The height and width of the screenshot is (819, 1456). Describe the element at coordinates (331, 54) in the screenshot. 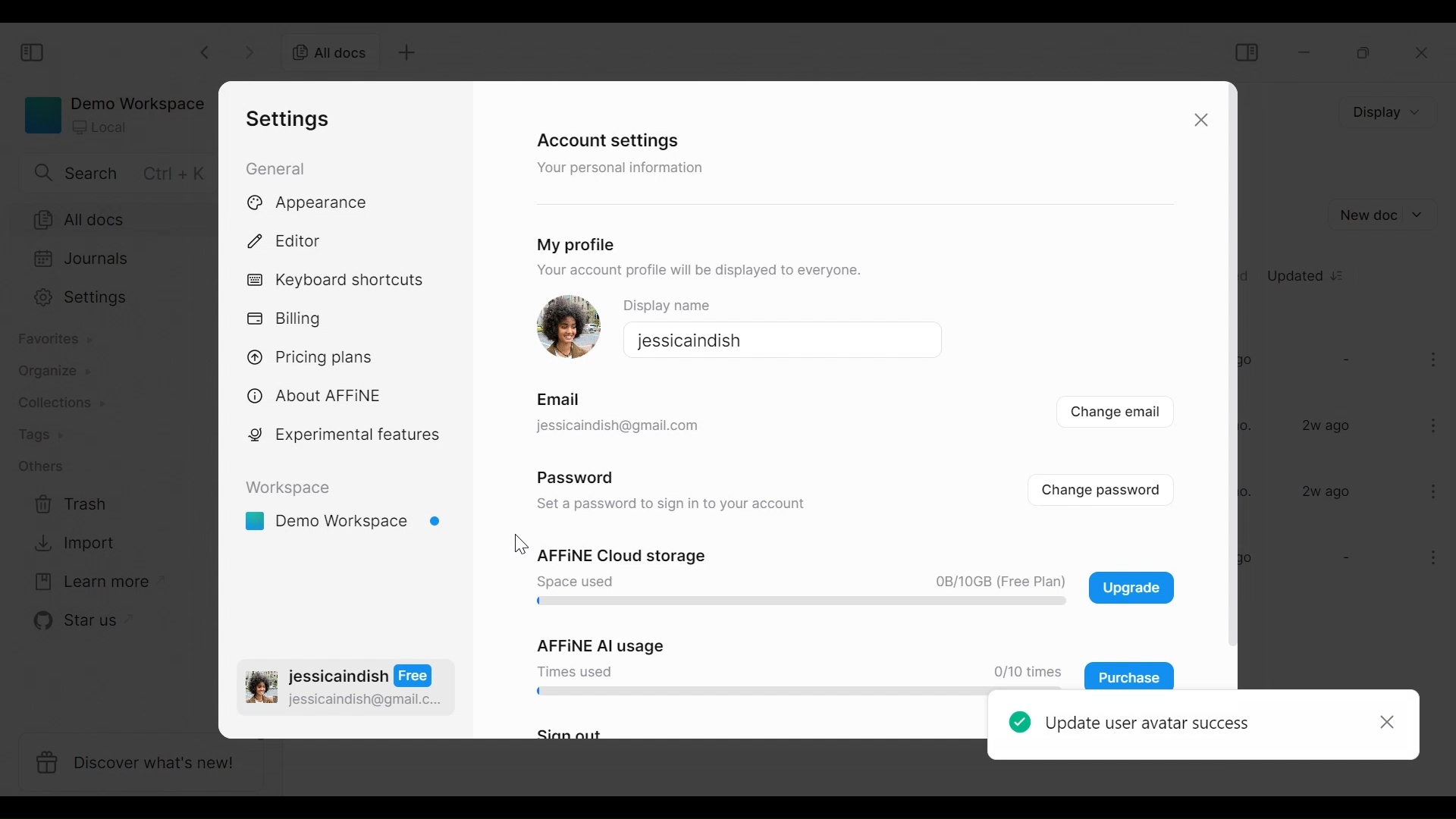

I see `All documents` at that location.